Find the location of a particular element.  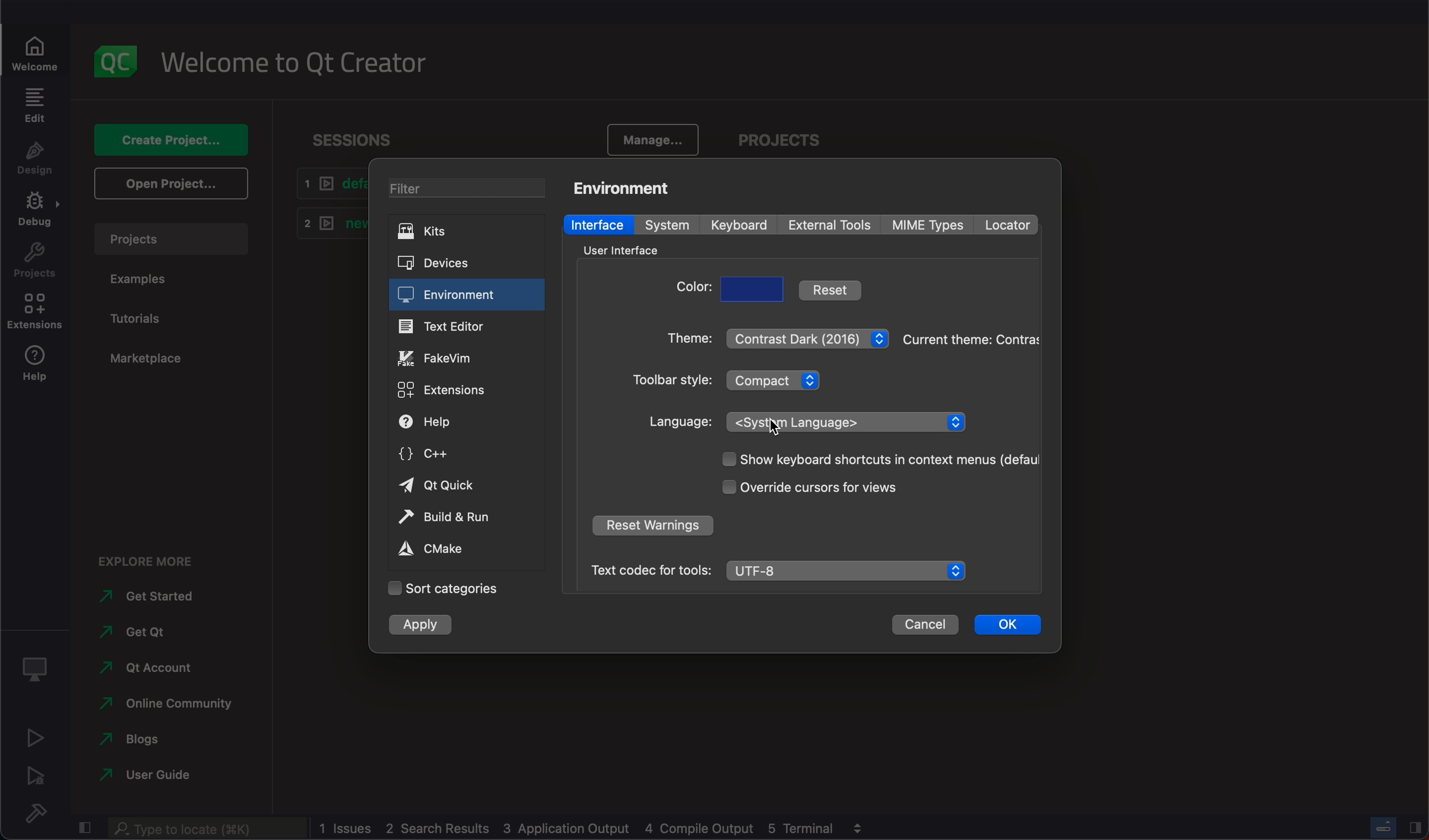

kit selector is located at coordinates (34, 665).